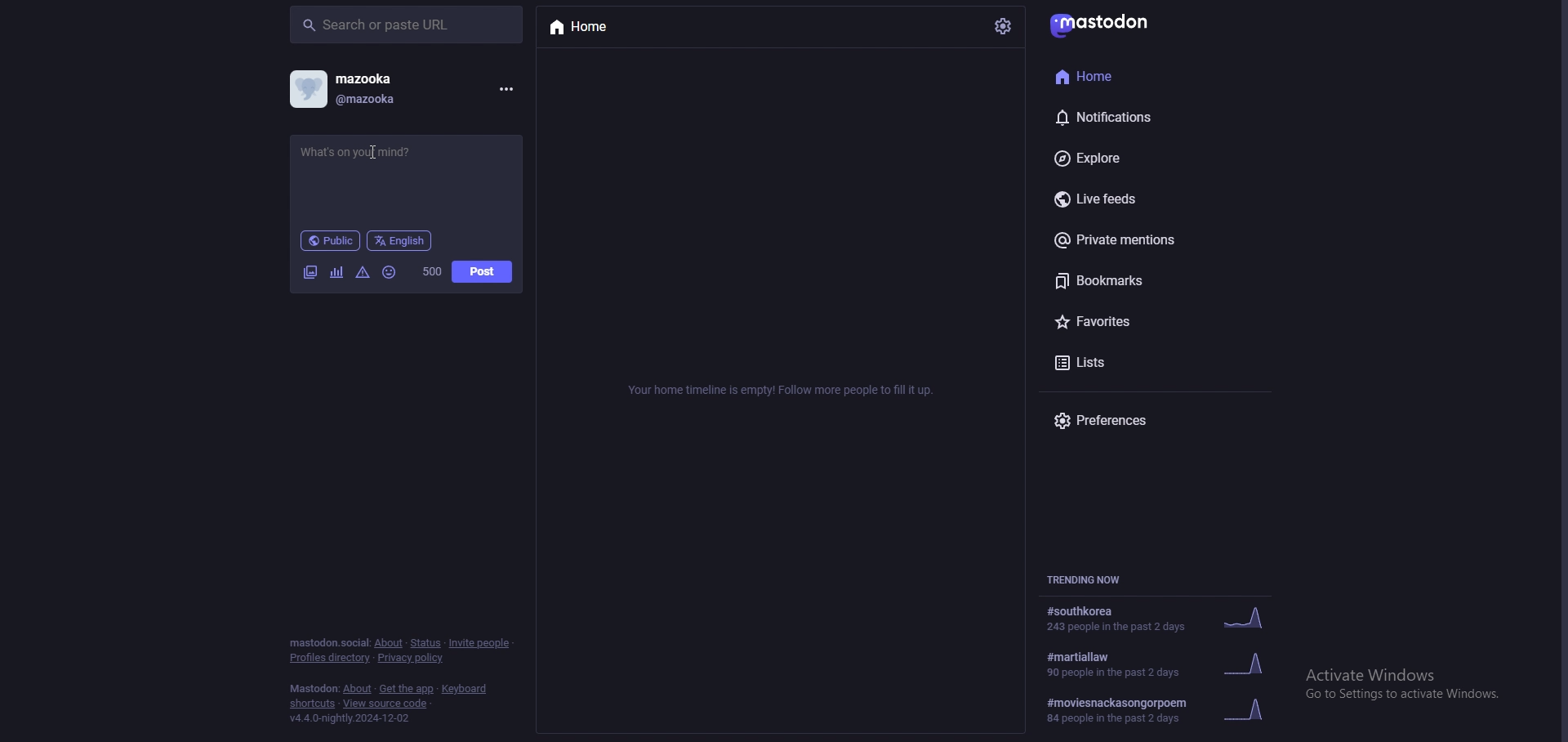 Image resolution: width=1568 pixels, height=742 pixels. I want to click on menu, so click(506, 90).